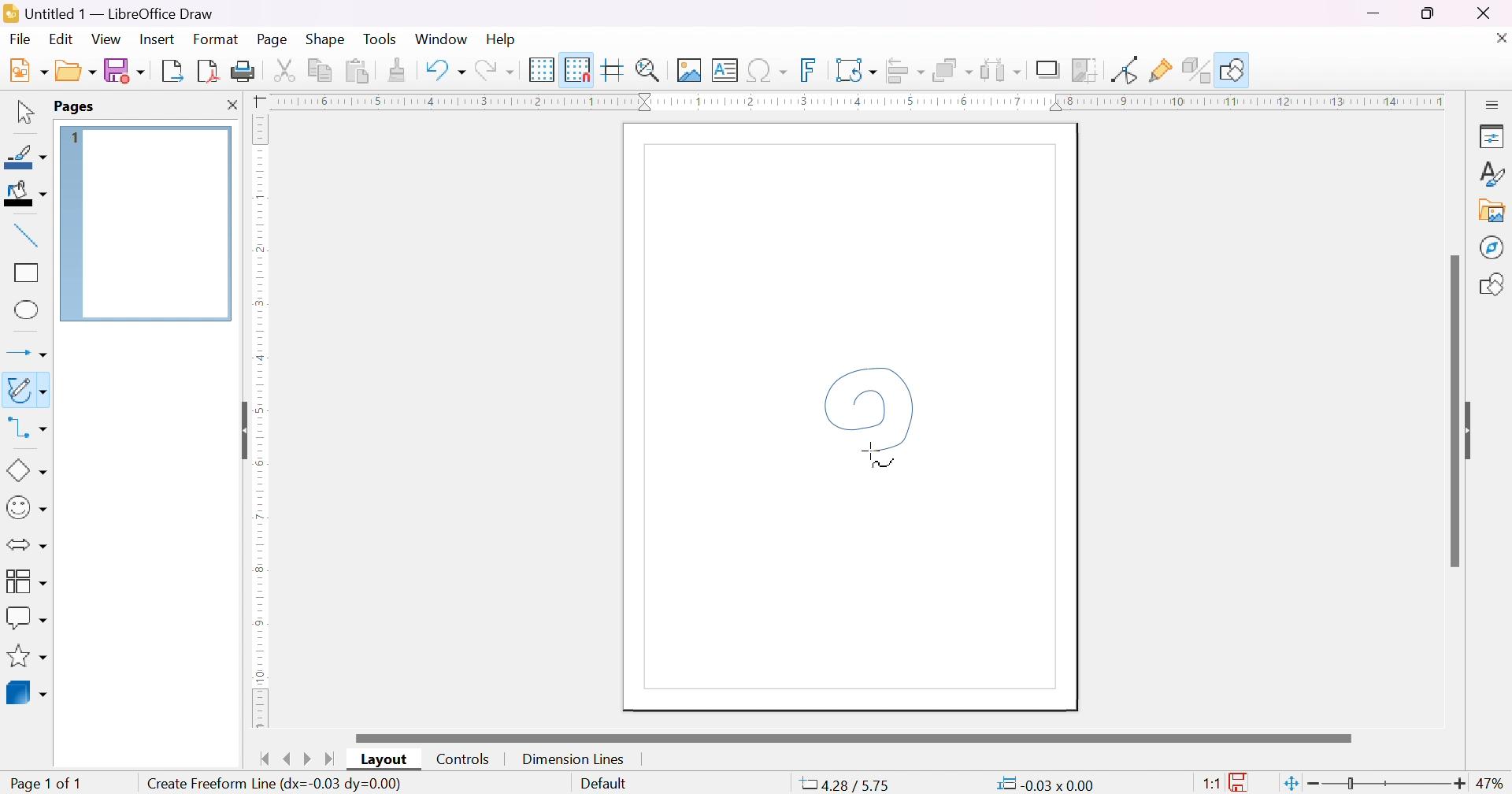 This screenshot has width=1512, height=794. What do you see at coordinates (1001, 70) in the screenshot?
I see `select at least three objects to distribute` at bounding box center [1001, 70].